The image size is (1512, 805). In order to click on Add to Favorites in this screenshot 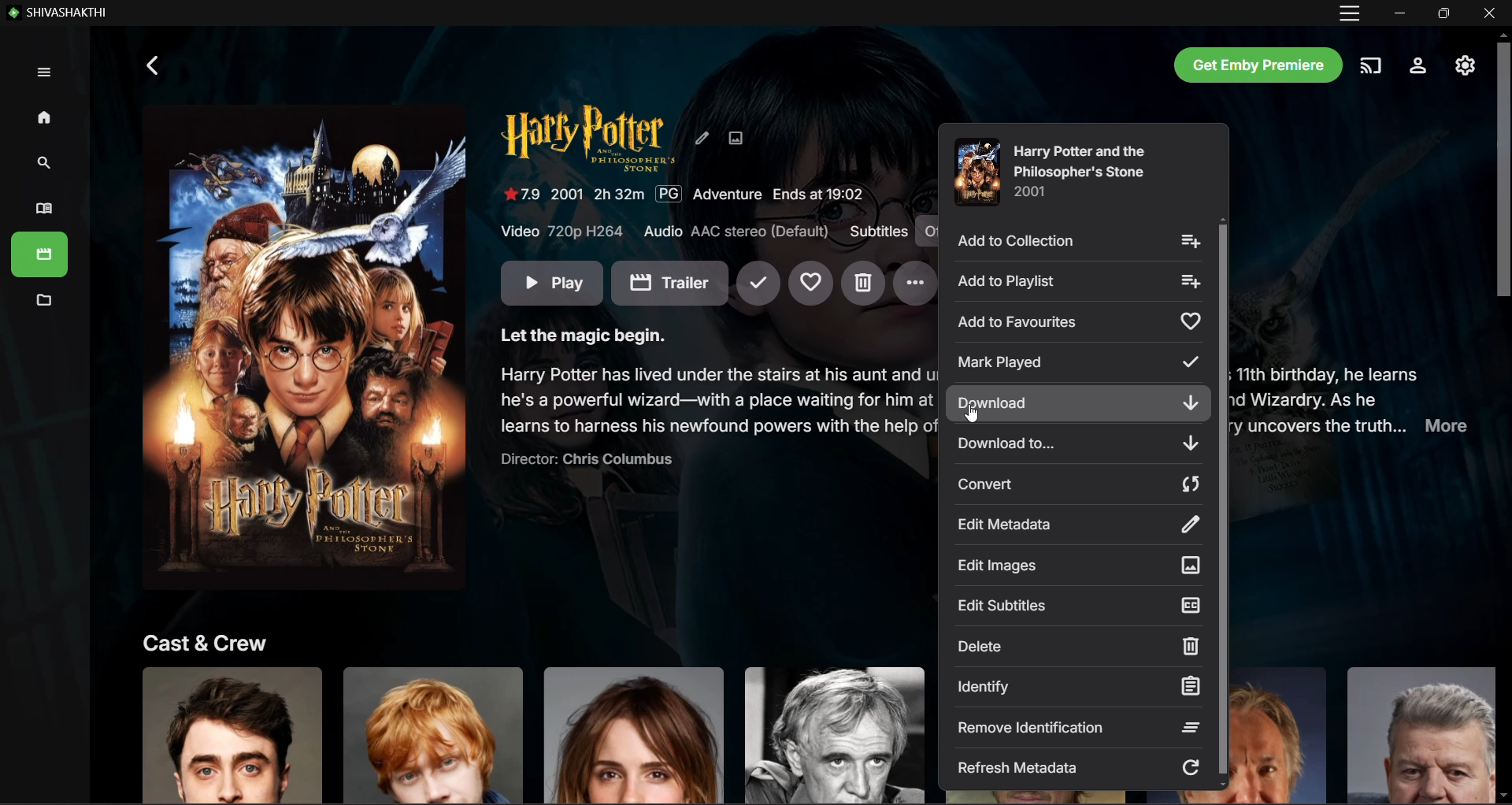, I will do `click(1078, 322)`.